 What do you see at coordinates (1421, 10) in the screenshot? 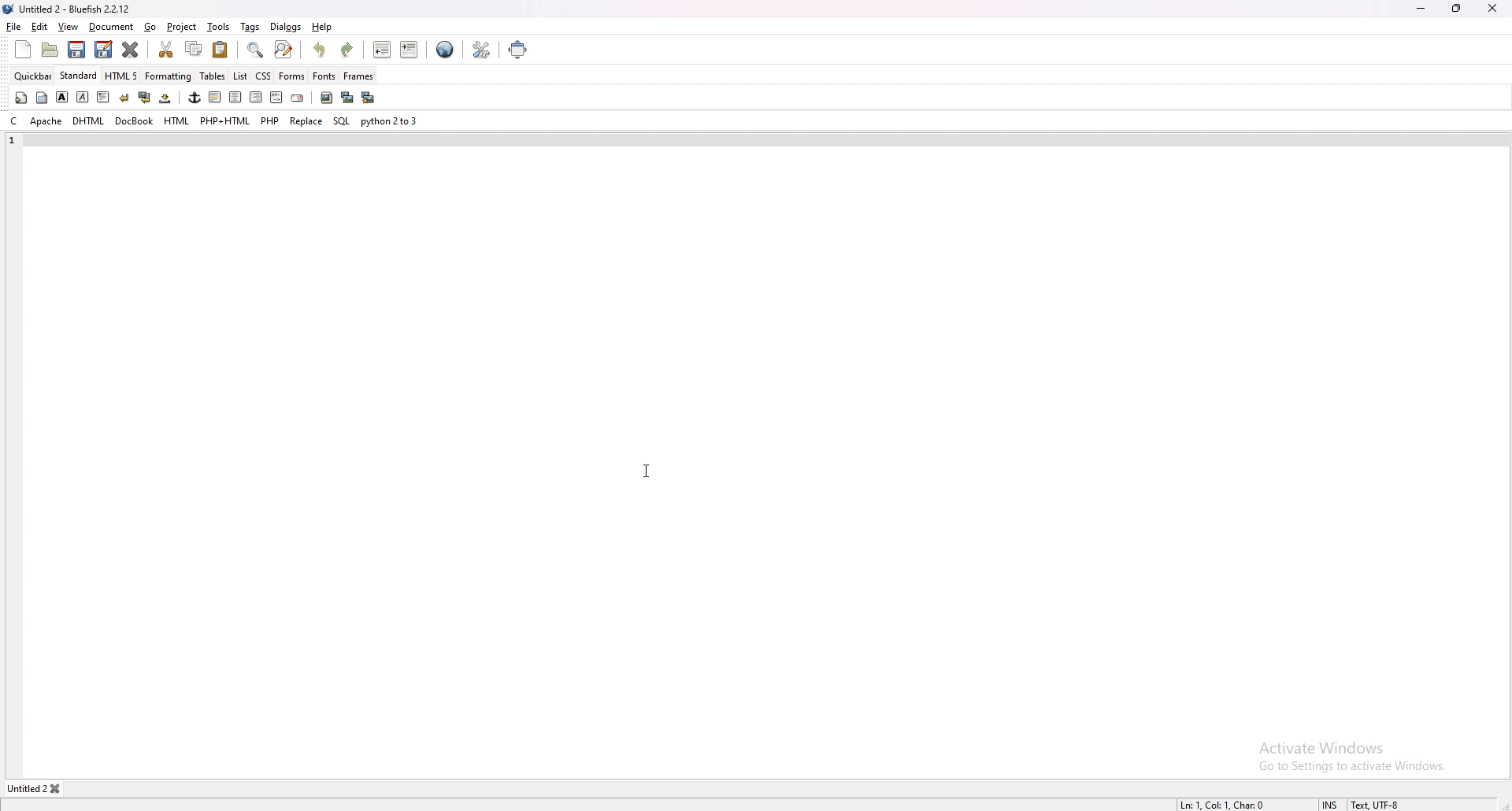
I see `minimize` at bounding box center [1421, 10].